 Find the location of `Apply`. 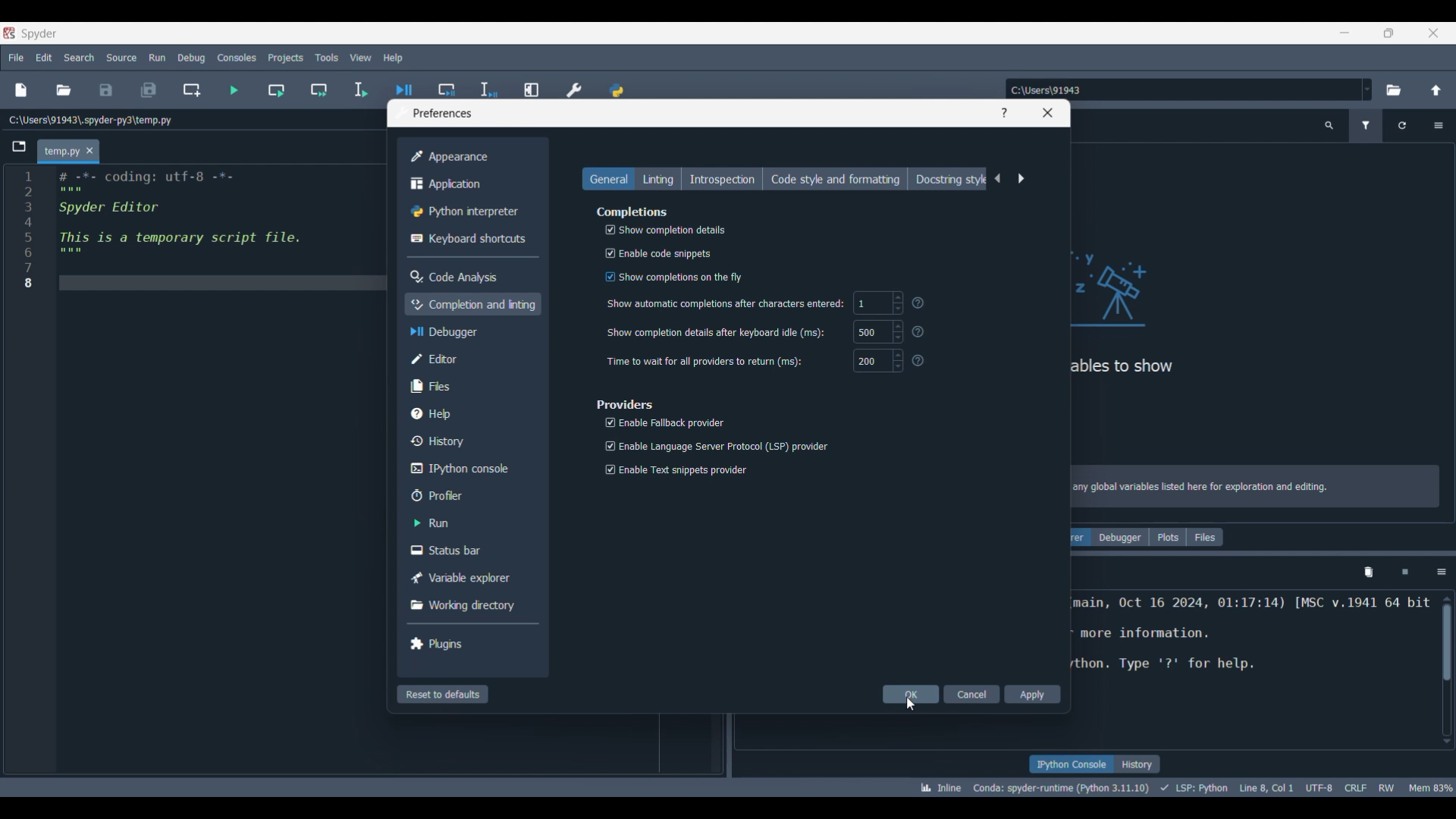

Apply is located at coordinates (1033, 694).